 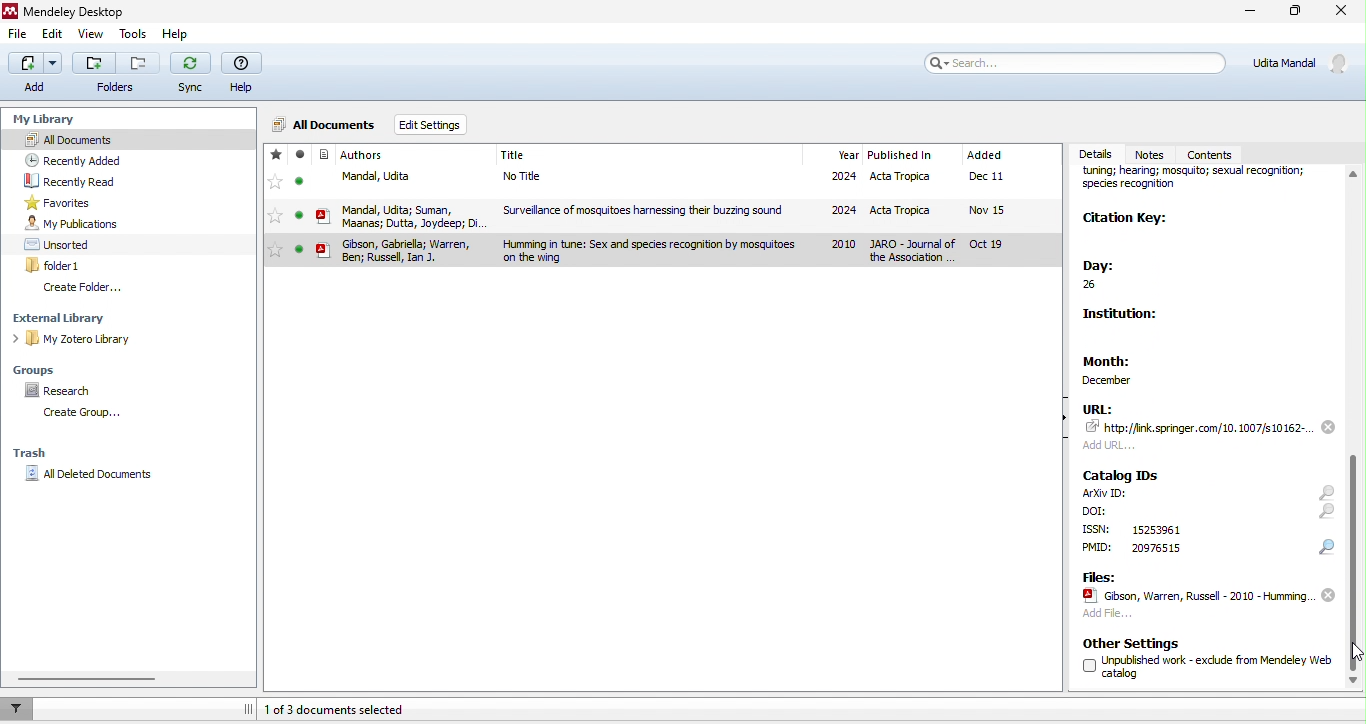 What do you see at coordinates (63, 391) in the screenshot?
I see `research` at bounding box center [63, 391].